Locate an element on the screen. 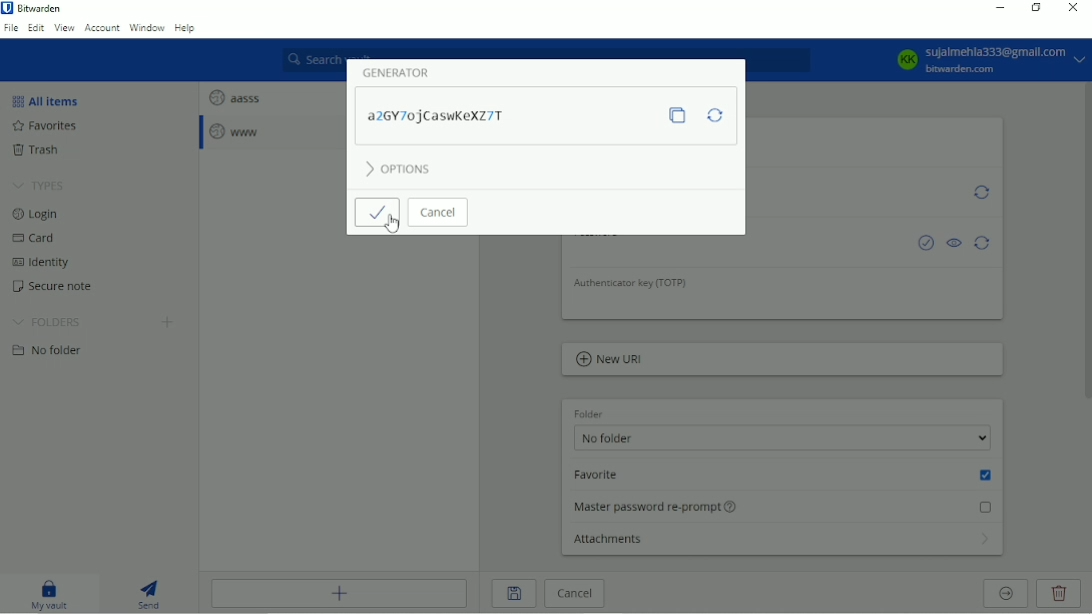 Image resolution: width=1092 pixels, height=614 pixels. File is located at coordinates (11, 28).